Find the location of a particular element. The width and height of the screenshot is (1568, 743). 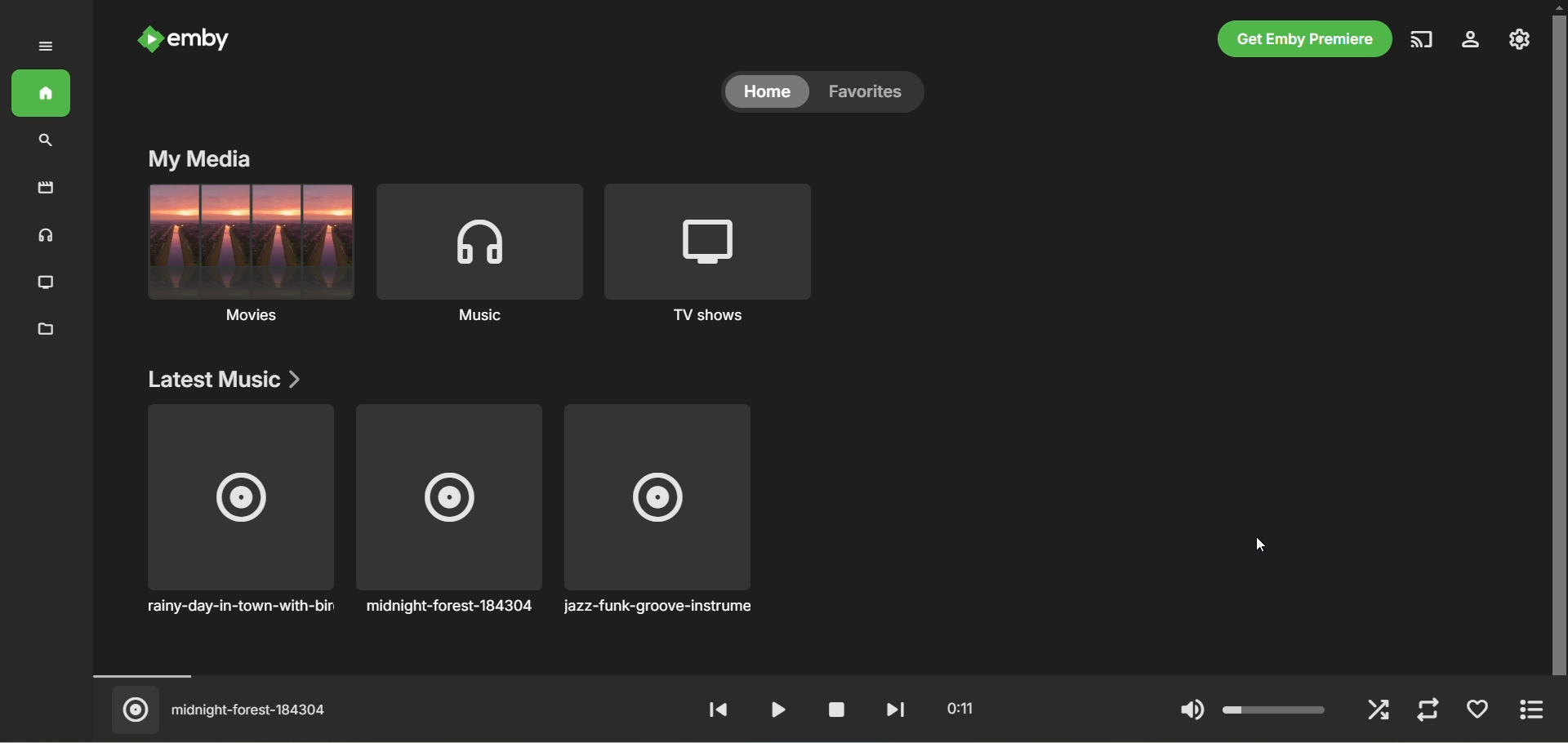

search is located at coordinates (46, 141).